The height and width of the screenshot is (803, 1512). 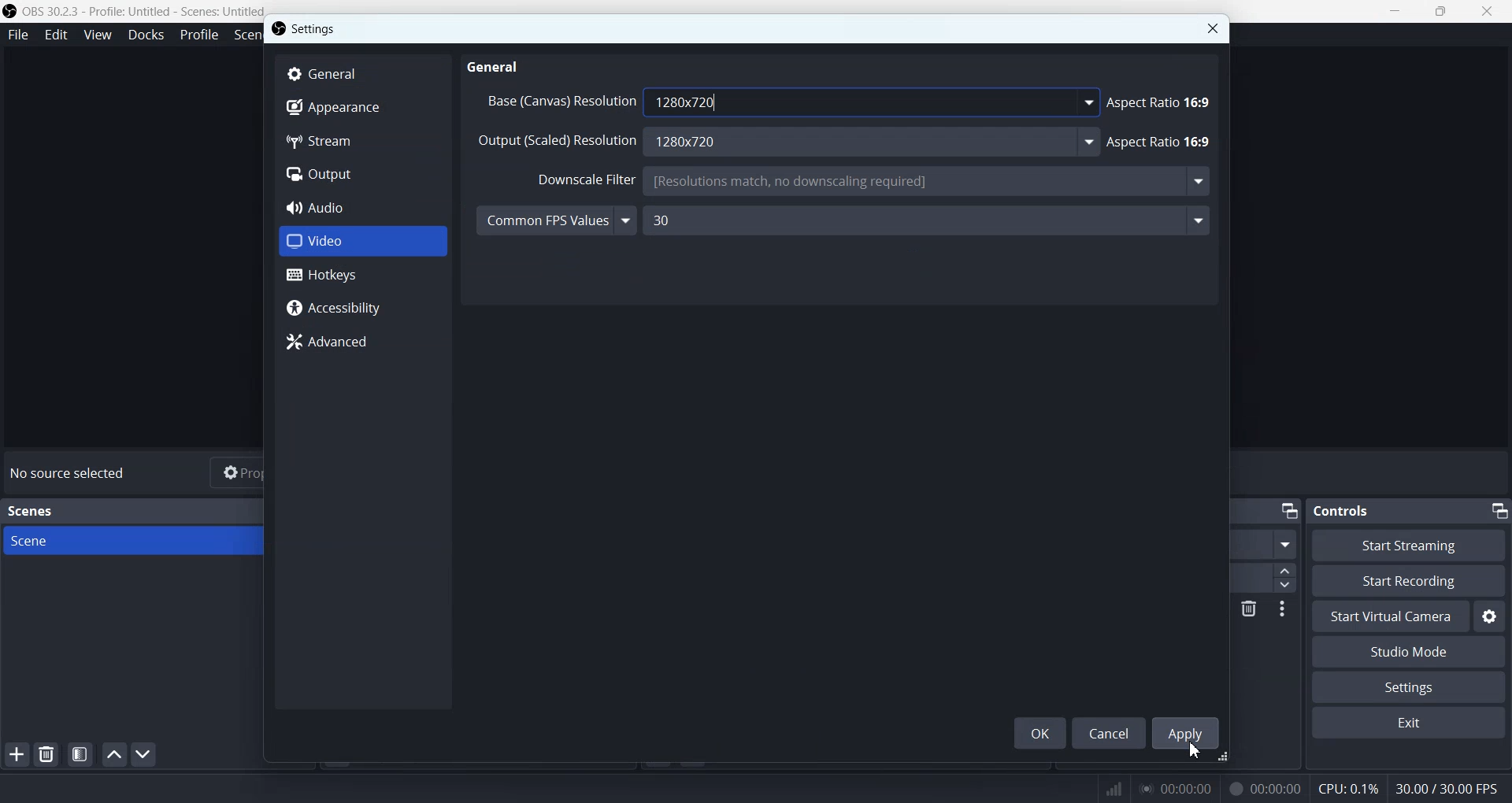 What do you see at coordinates (1177, 787) in the screenshot?
I see `00:00:00` at bounding box center [1177, 787].